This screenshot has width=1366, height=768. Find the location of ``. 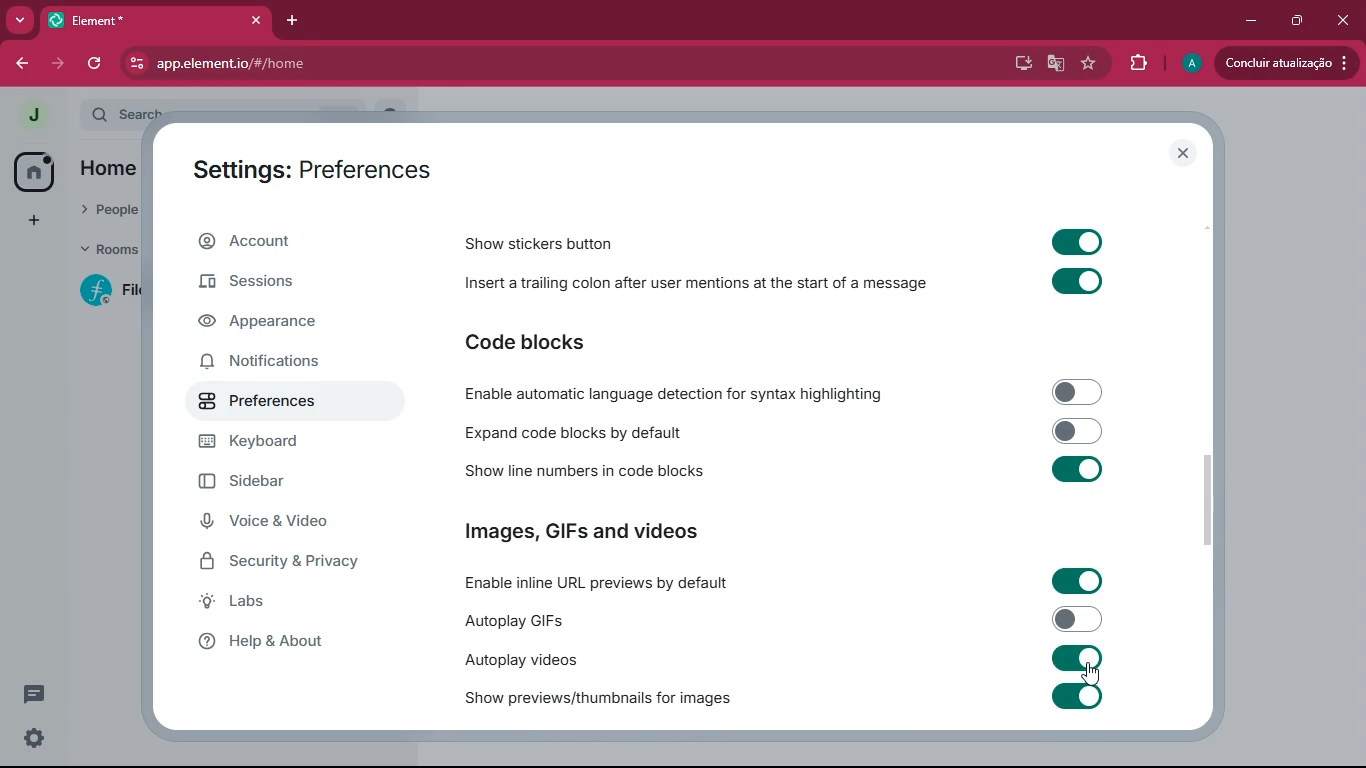

 is located at coordinates (1079, 470).